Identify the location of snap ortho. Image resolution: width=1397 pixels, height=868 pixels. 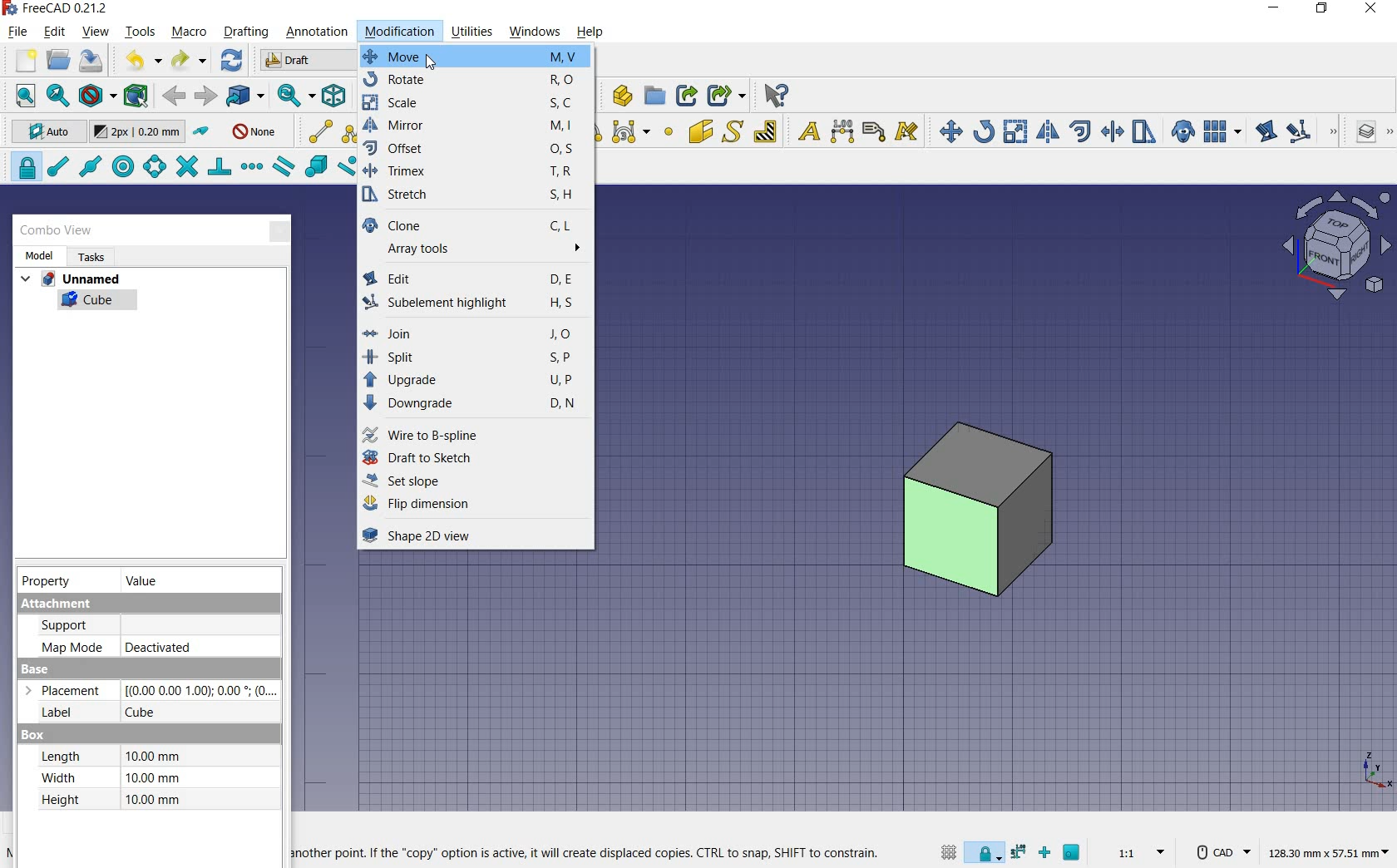
(1045, 854).